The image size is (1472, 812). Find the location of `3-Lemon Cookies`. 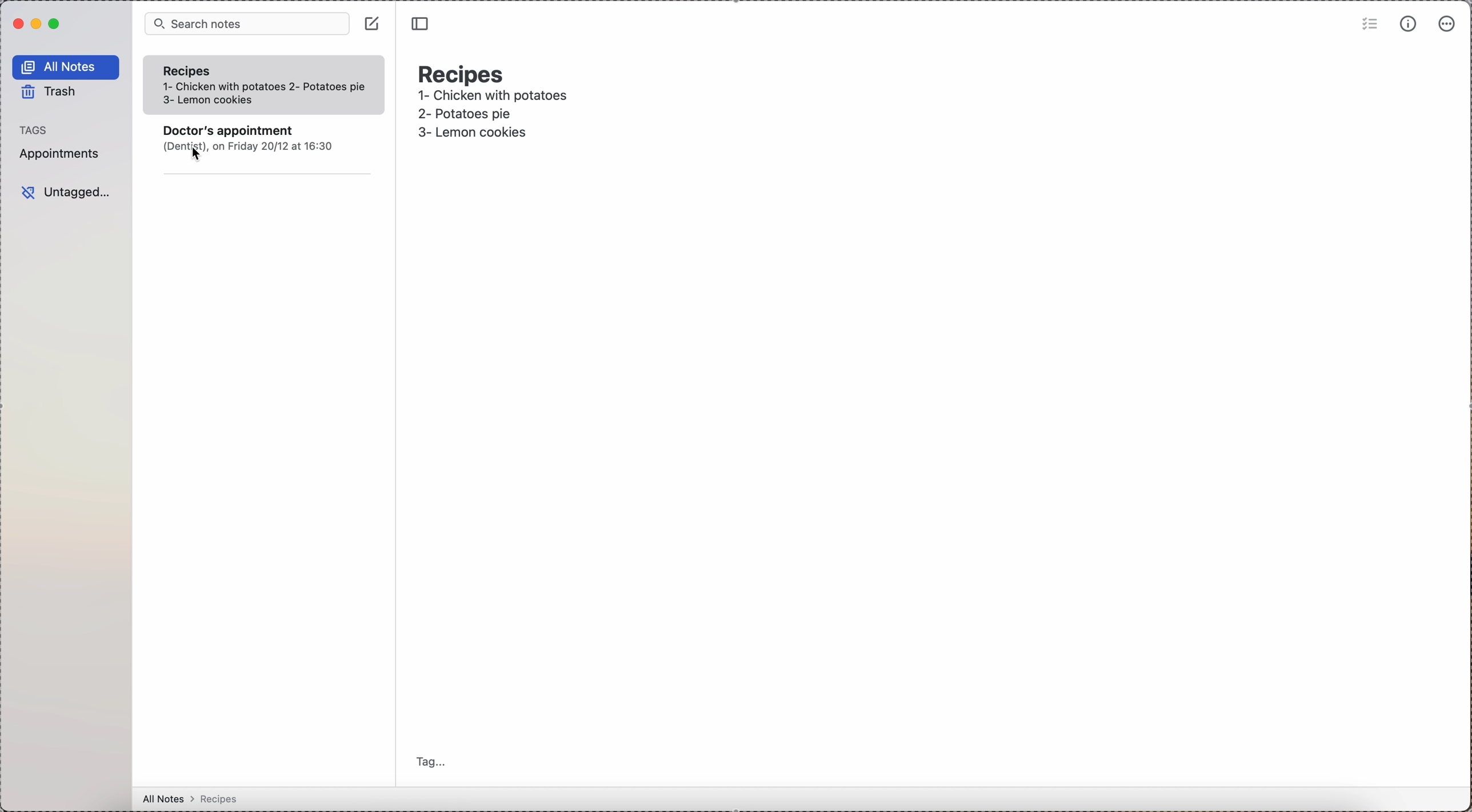

3-Lemon Cookies is located at coordinates (225, 101).